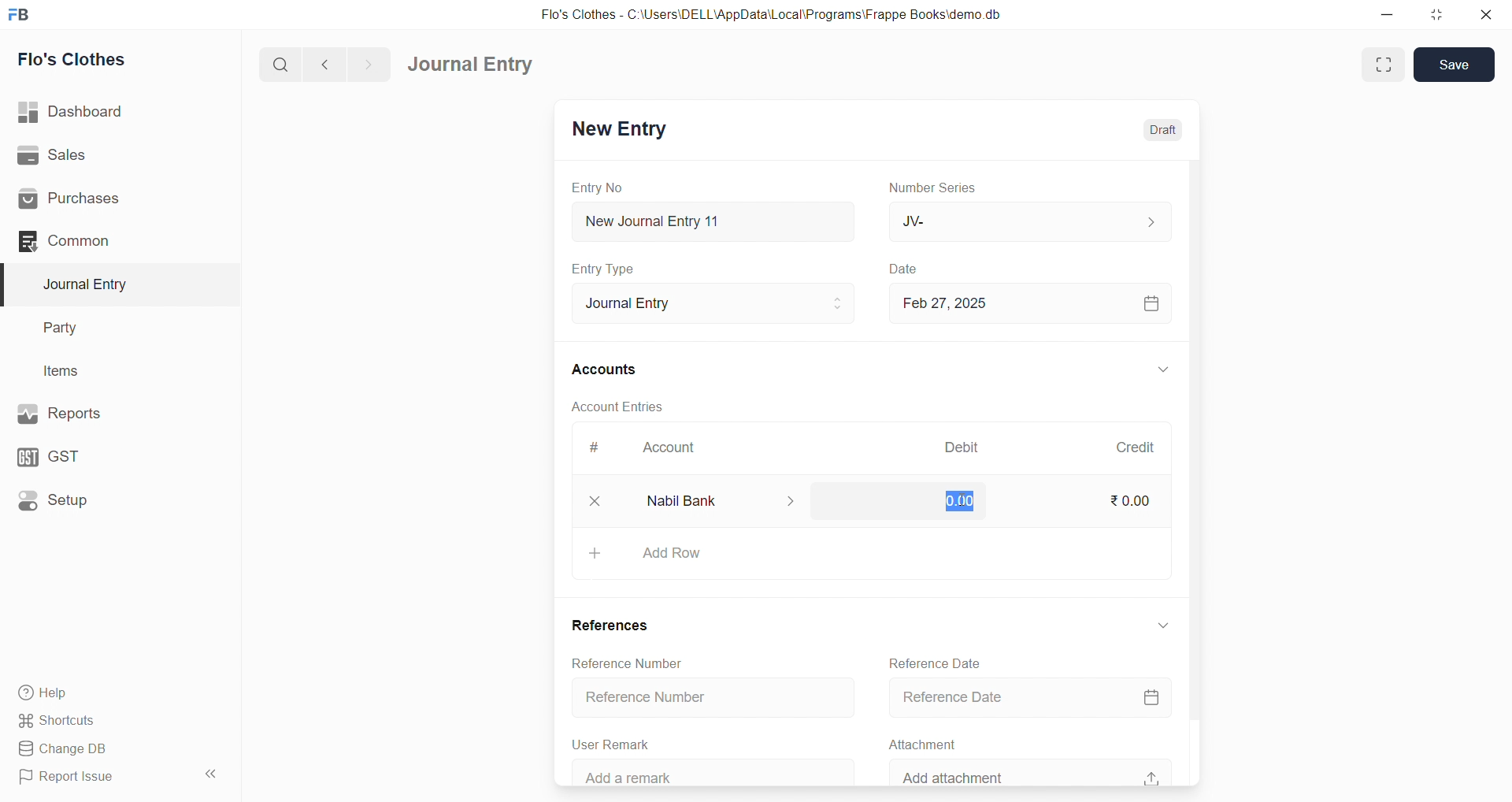 The image size is (1512, 802). What do you see at coordinates (713, 694) in the screenshot?
I see `Reference Number` at bounding box center [713, 694].